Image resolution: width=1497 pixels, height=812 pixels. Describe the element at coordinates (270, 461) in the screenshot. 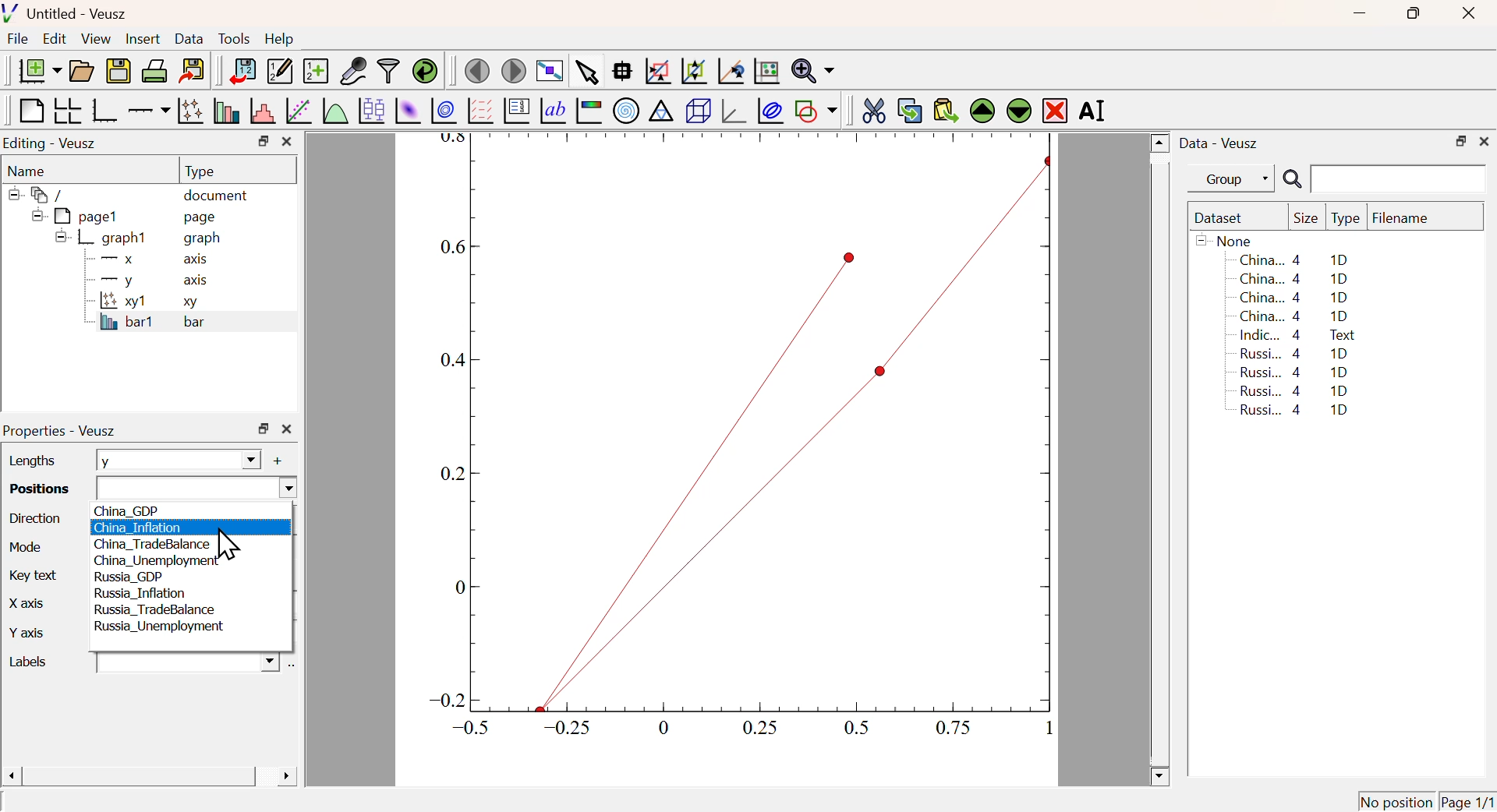

I see `Add` at that location.